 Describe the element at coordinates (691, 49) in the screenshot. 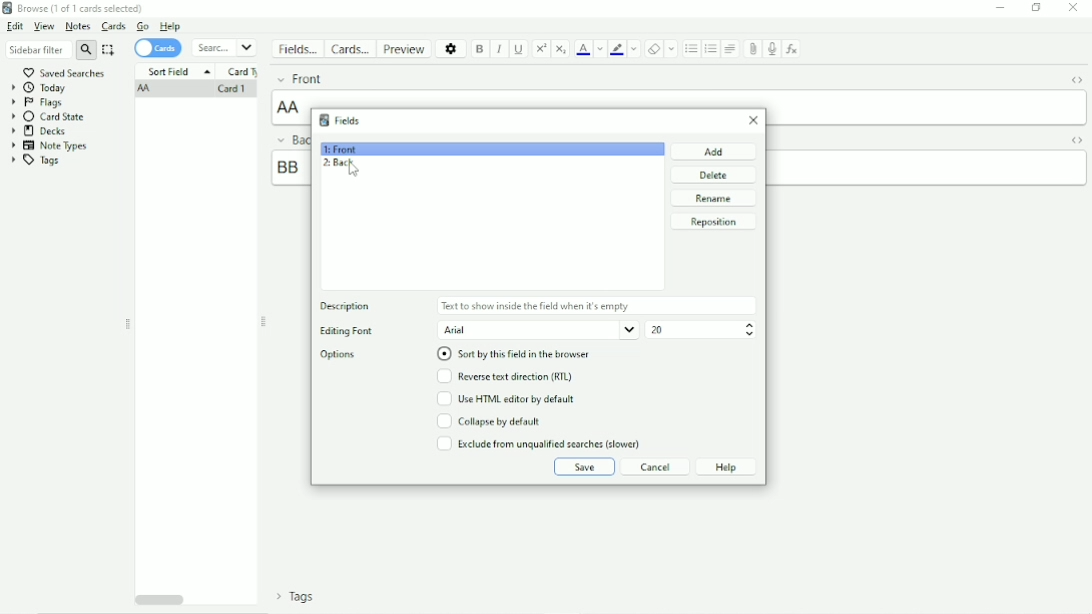

I see `Unordered list` at that location.